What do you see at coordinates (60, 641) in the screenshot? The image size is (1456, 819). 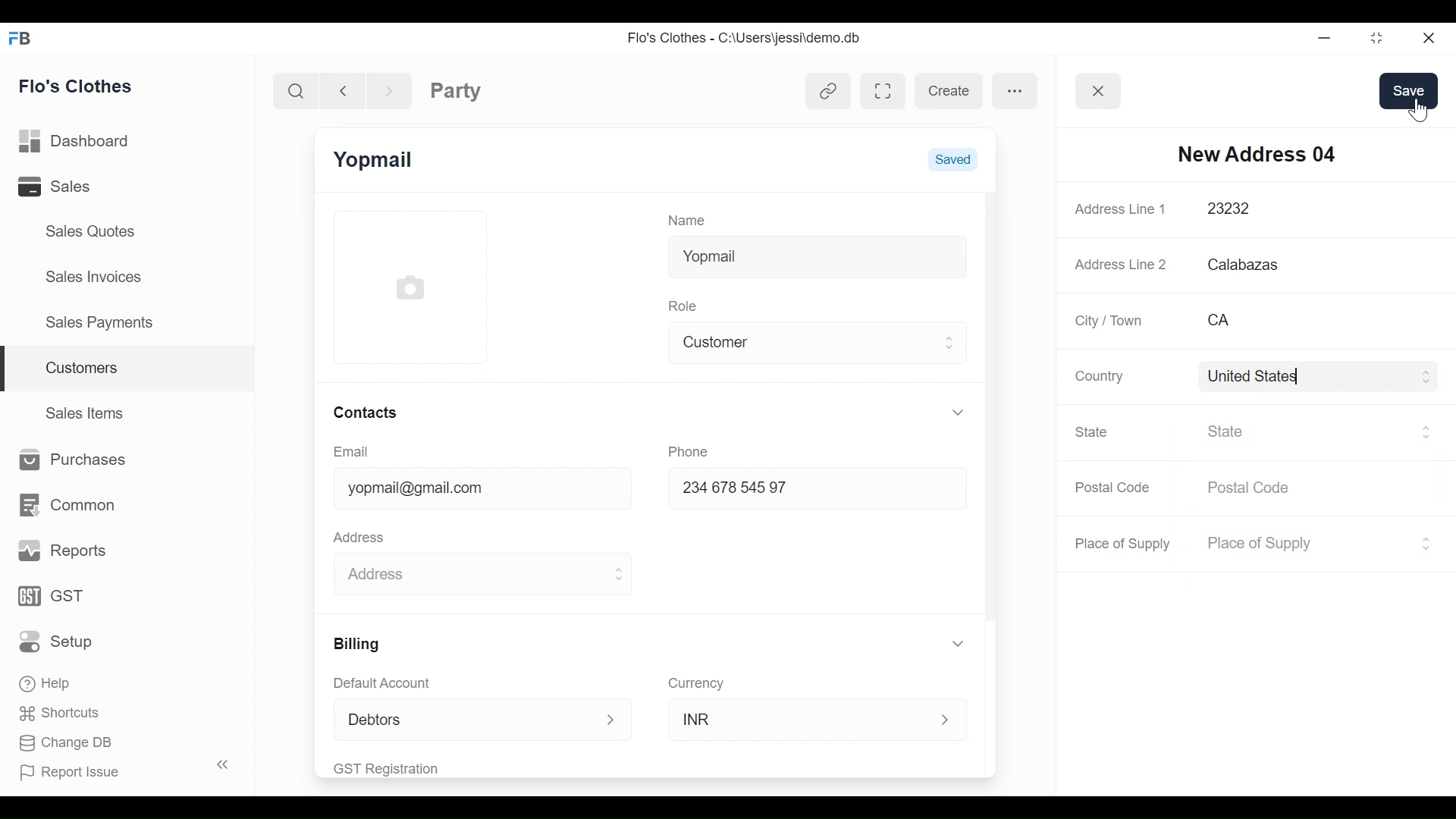 I see `Setup` at bounding box center [60, 641].